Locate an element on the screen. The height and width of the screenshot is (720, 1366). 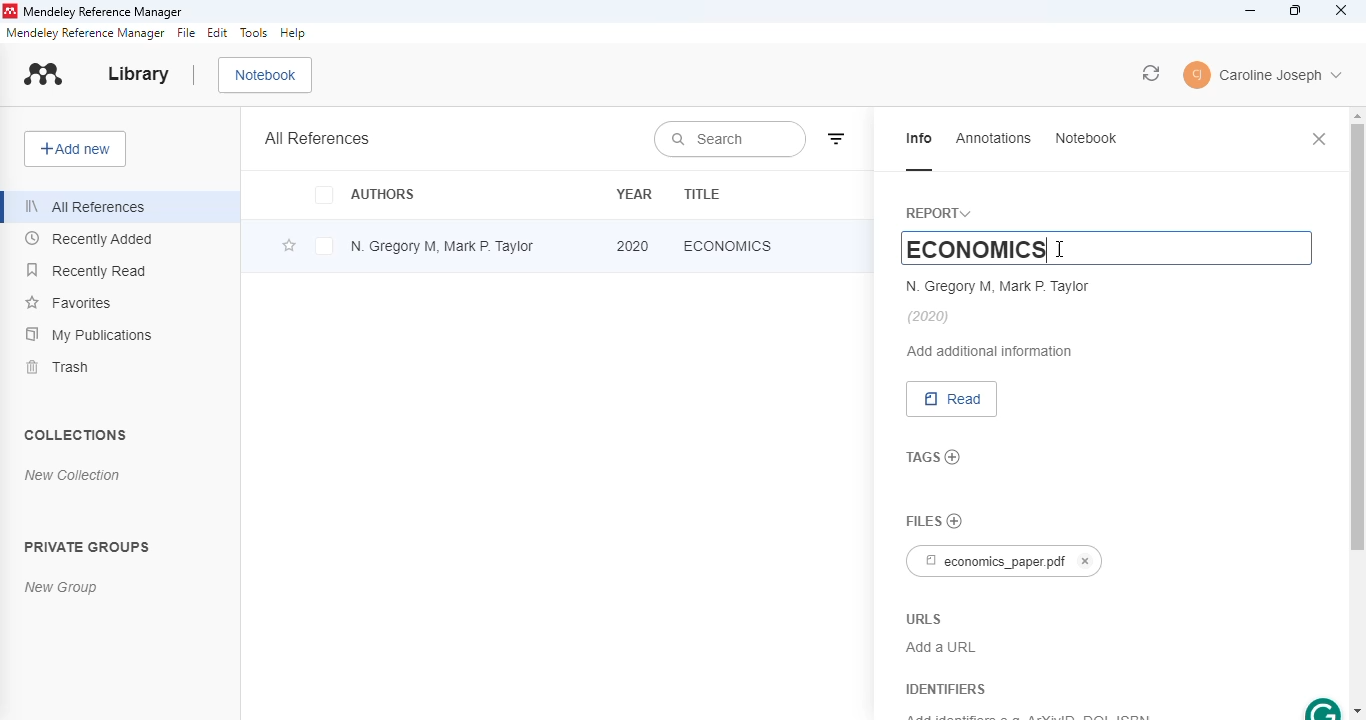
collections is located at coordinates (77, 434).